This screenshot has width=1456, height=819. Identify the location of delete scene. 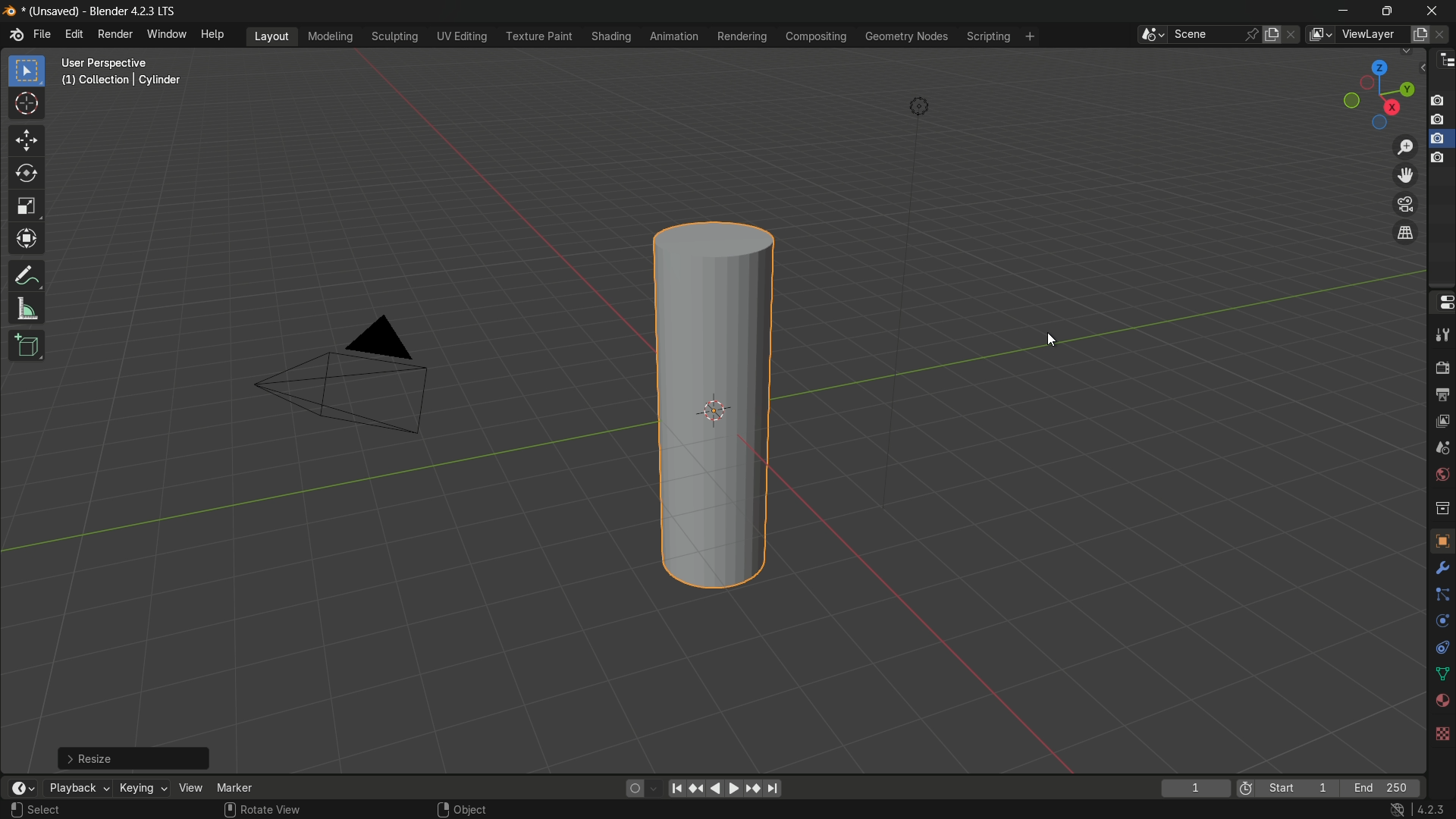
(1294, 36).